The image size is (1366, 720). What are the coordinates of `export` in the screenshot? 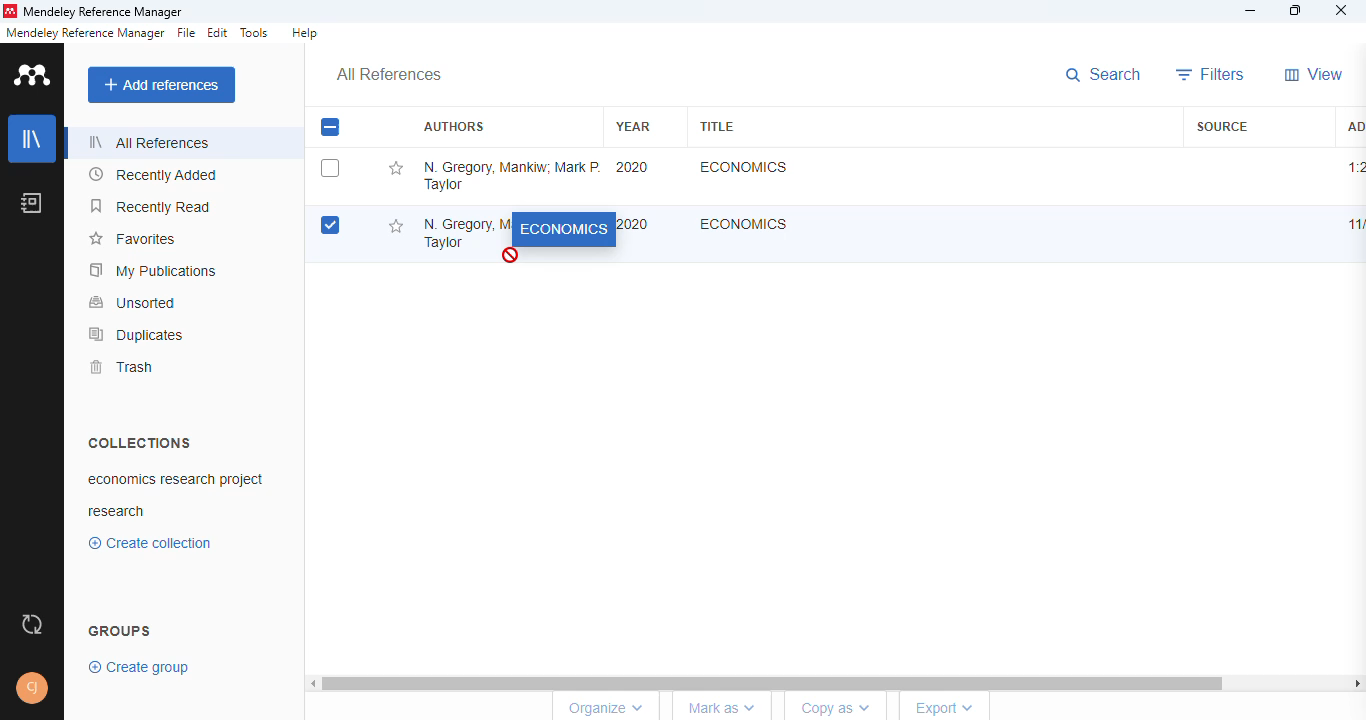 It's located at (944, 707).